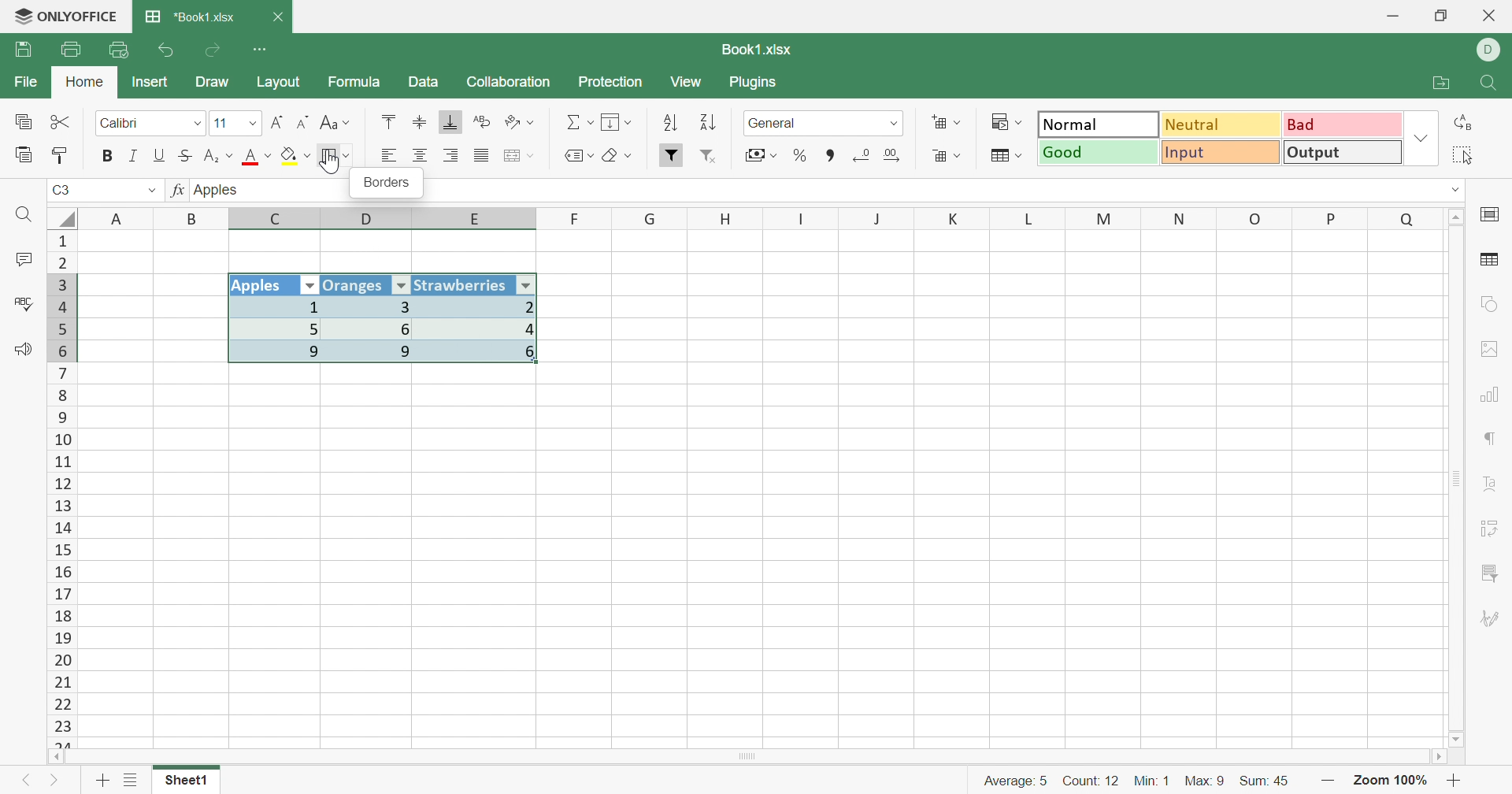 The image size is (1512, 794). What do you see at coordinates (120, 50) in the screenshot?
I see `Quick Print` at bounding box center [120, 50].